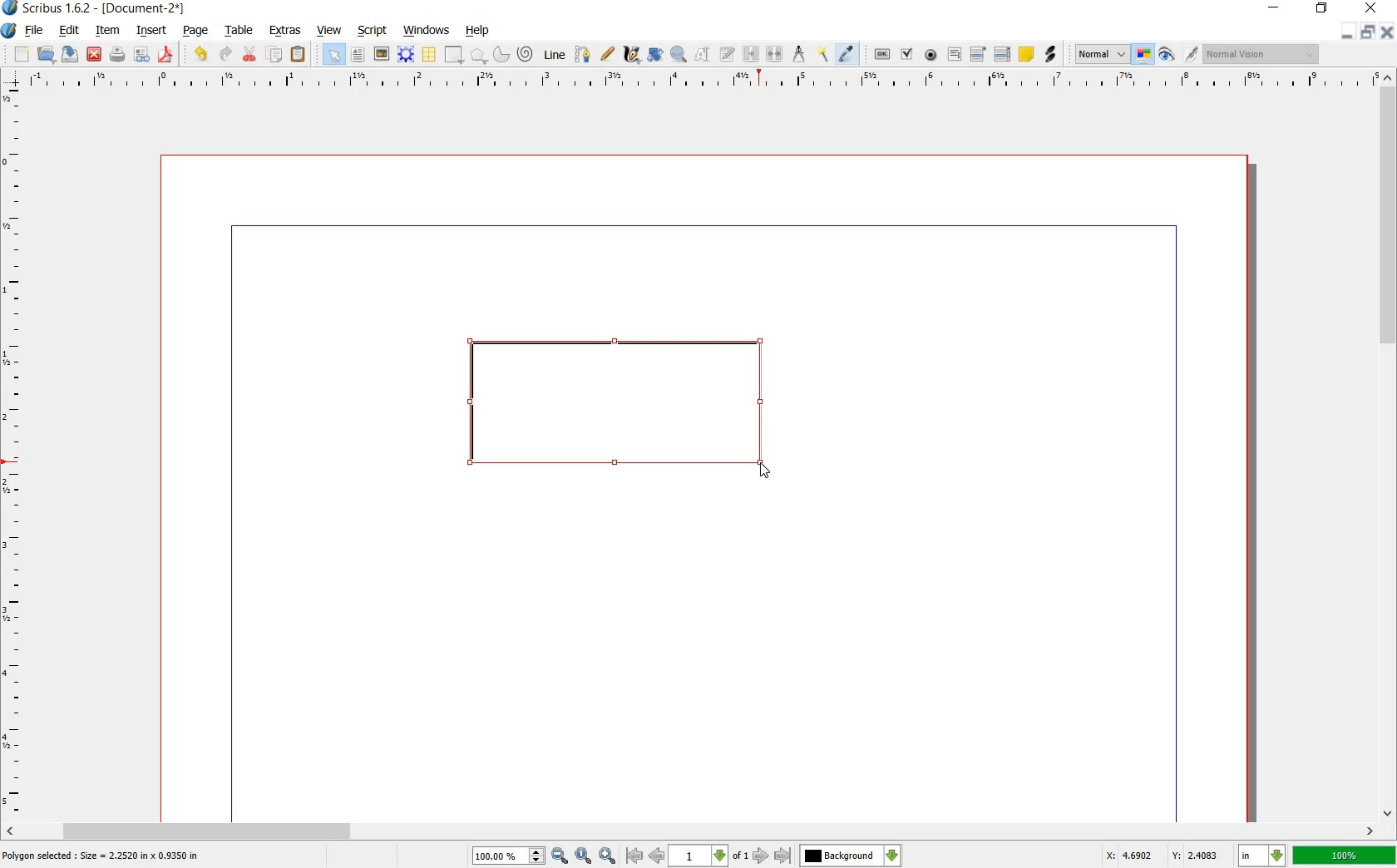 This screenshot has height=868, width=1397. I want to click on PREVIEW MODE, so click(1167, 55).